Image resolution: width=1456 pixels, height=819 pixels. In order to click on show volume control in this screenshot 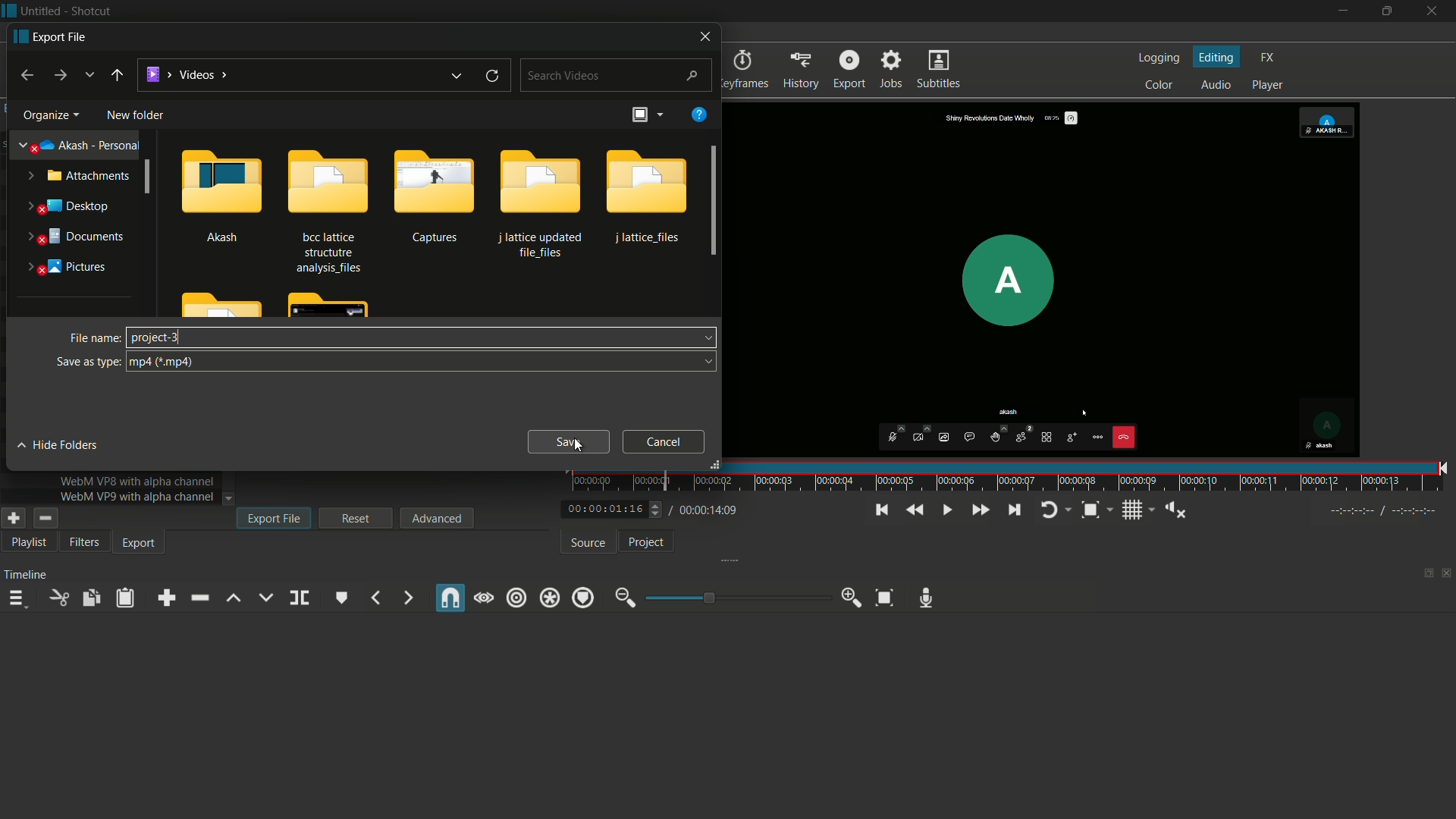, I will do `click(1175, 510)`.